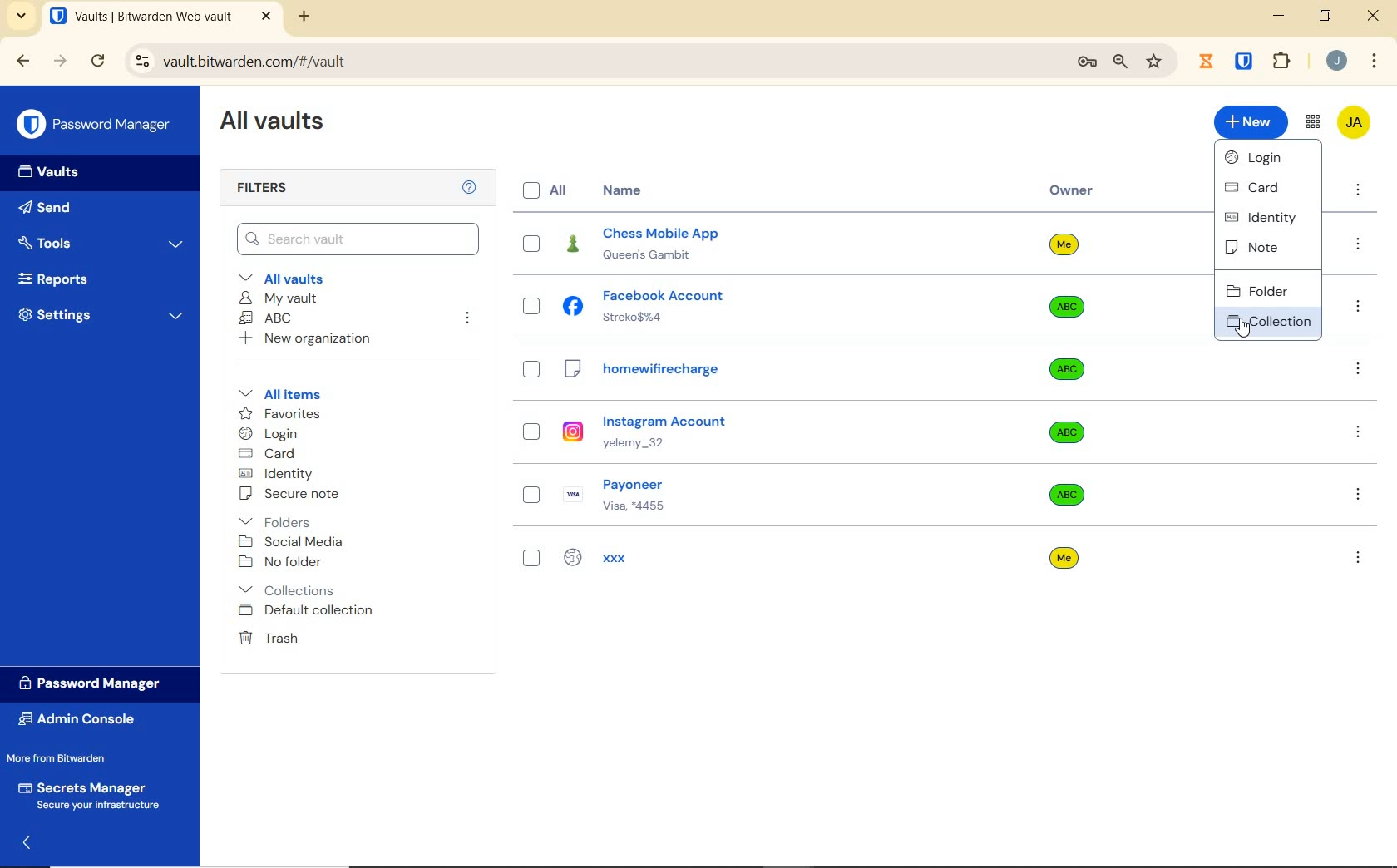 This screenshot has width=1397, height=868. Describe the element at coordinates (532, 243) in the screenshot. I see `select entry` at that location.